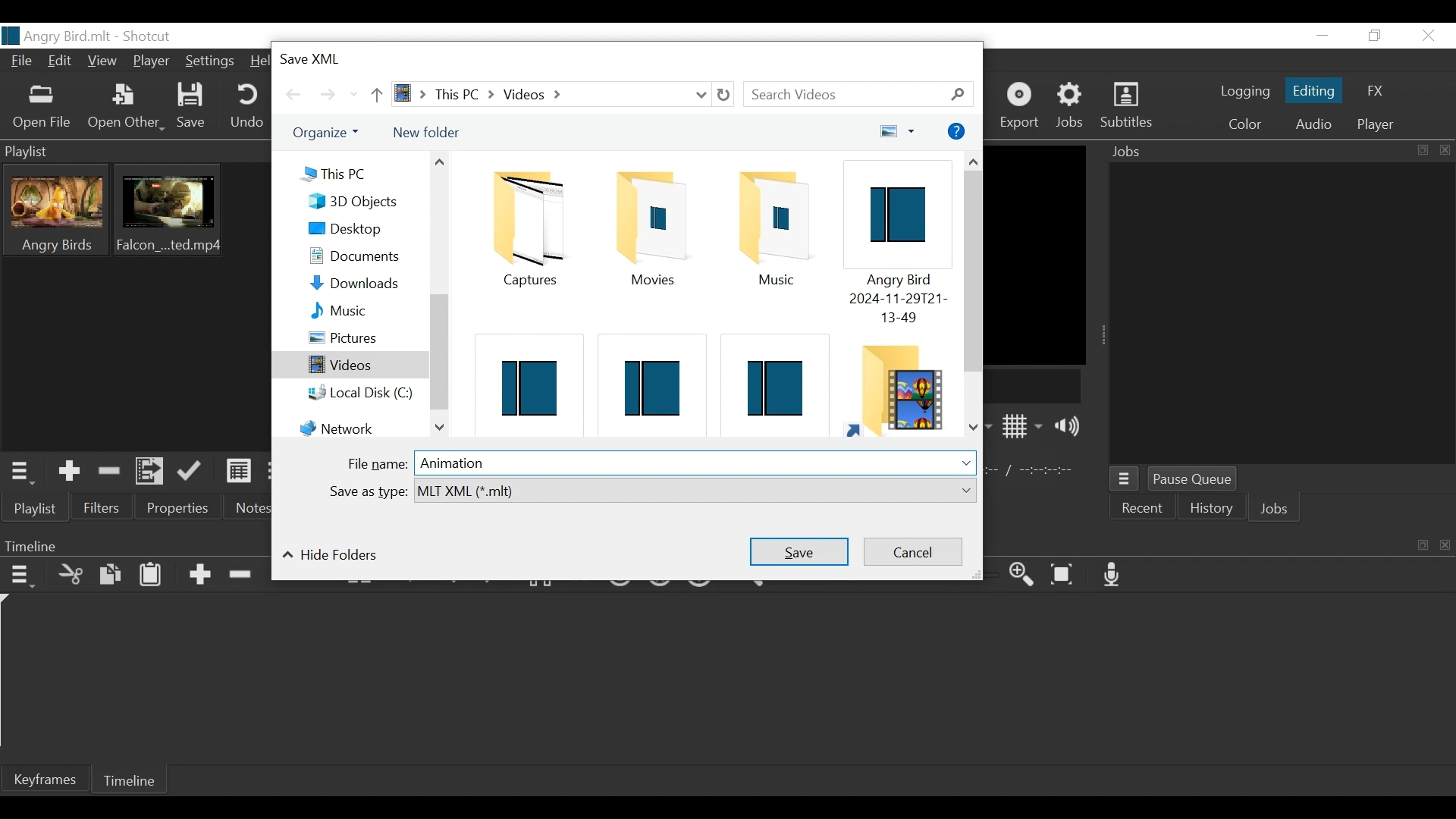 The width and height of the screenshot is (1456, 819). Describe the element at coordinates (1023, 426) in the screenshot. I see `Toggle display grid on player` at that location.